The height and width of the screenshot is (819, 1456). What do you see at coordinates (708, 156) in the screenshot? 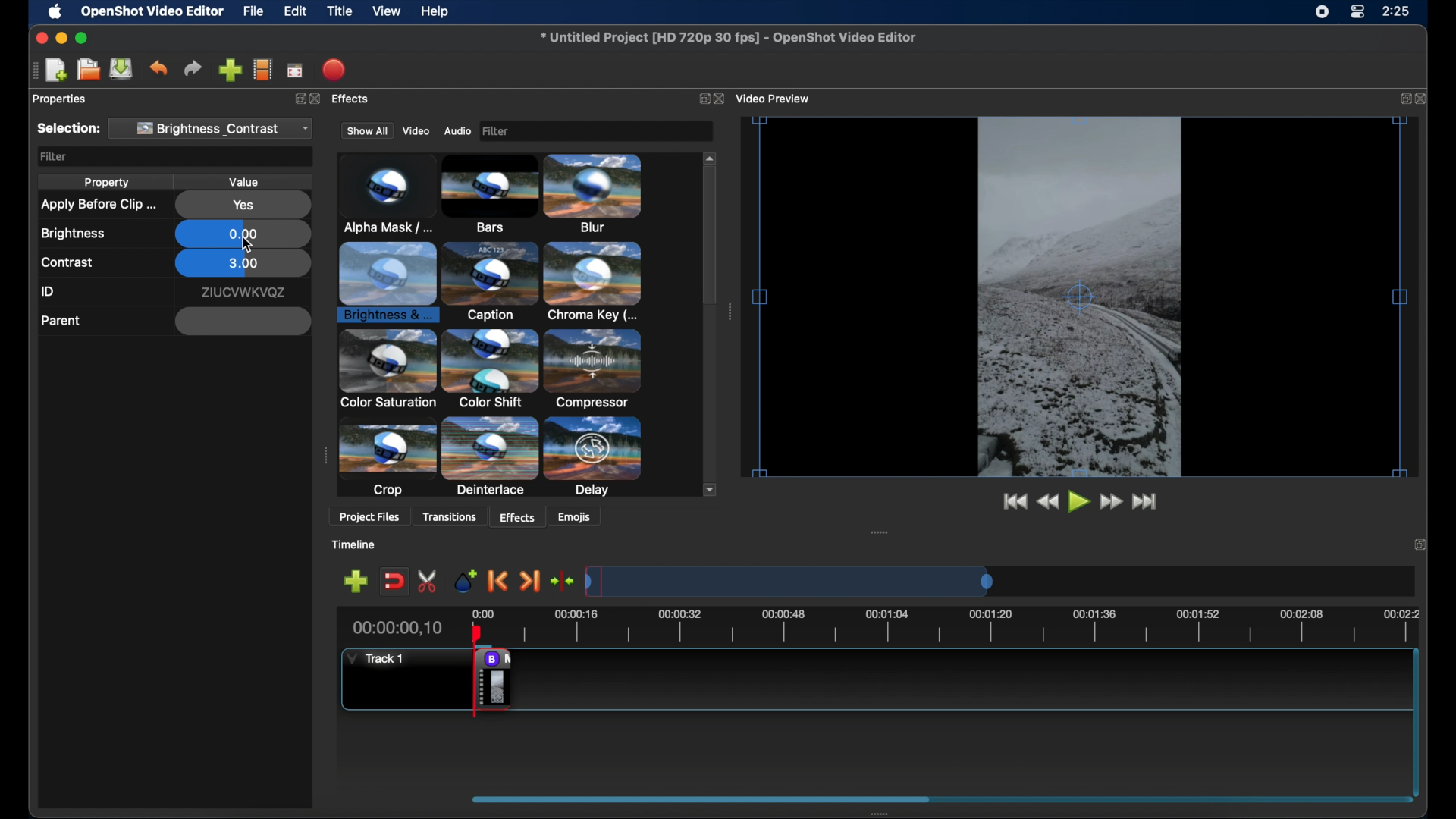
I see `scroll up arrow` at bounding box center [708, 156].